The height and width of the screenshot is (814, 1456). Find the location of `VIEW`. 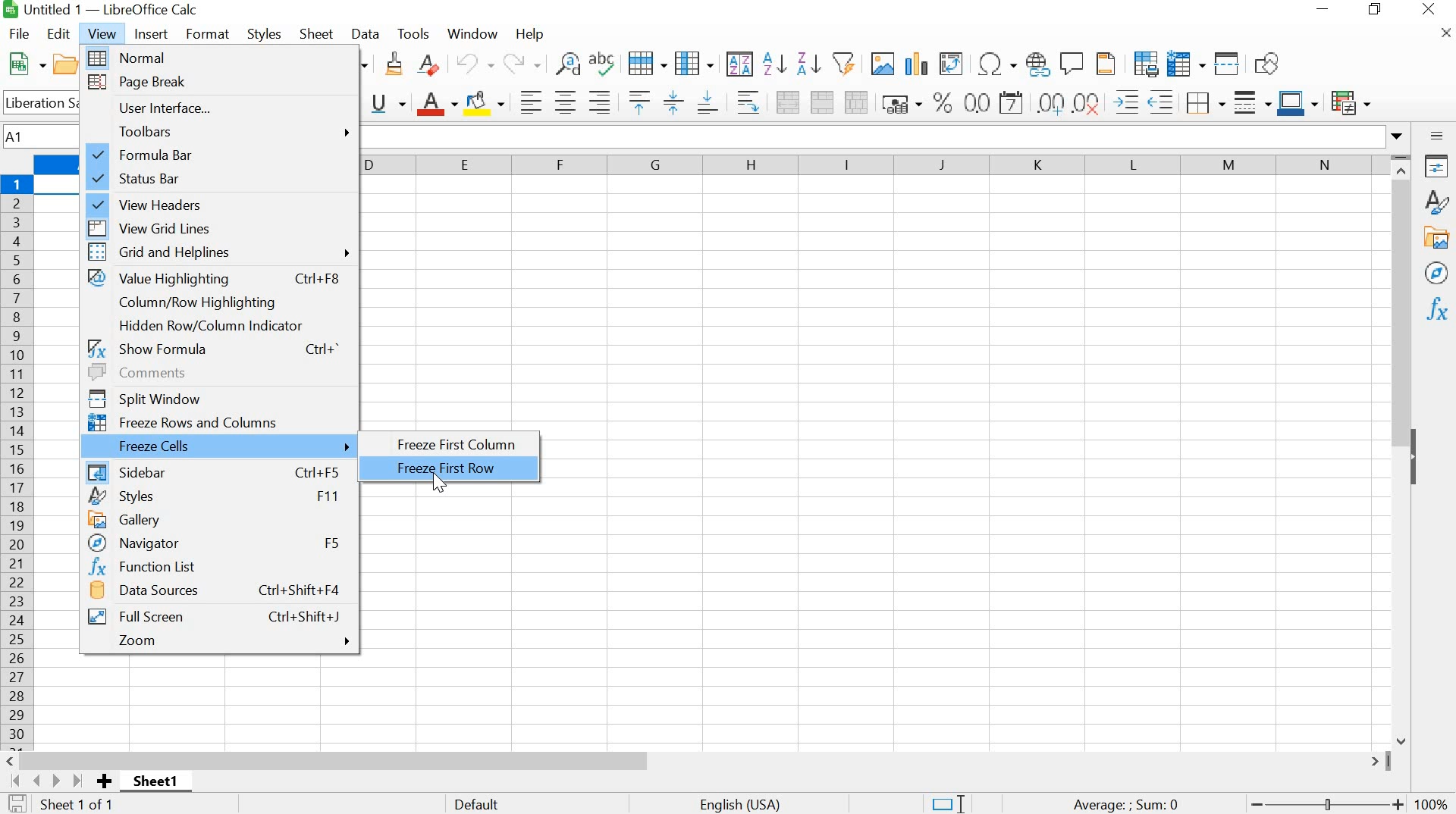

VIEW is located at coordinates (103, 33).